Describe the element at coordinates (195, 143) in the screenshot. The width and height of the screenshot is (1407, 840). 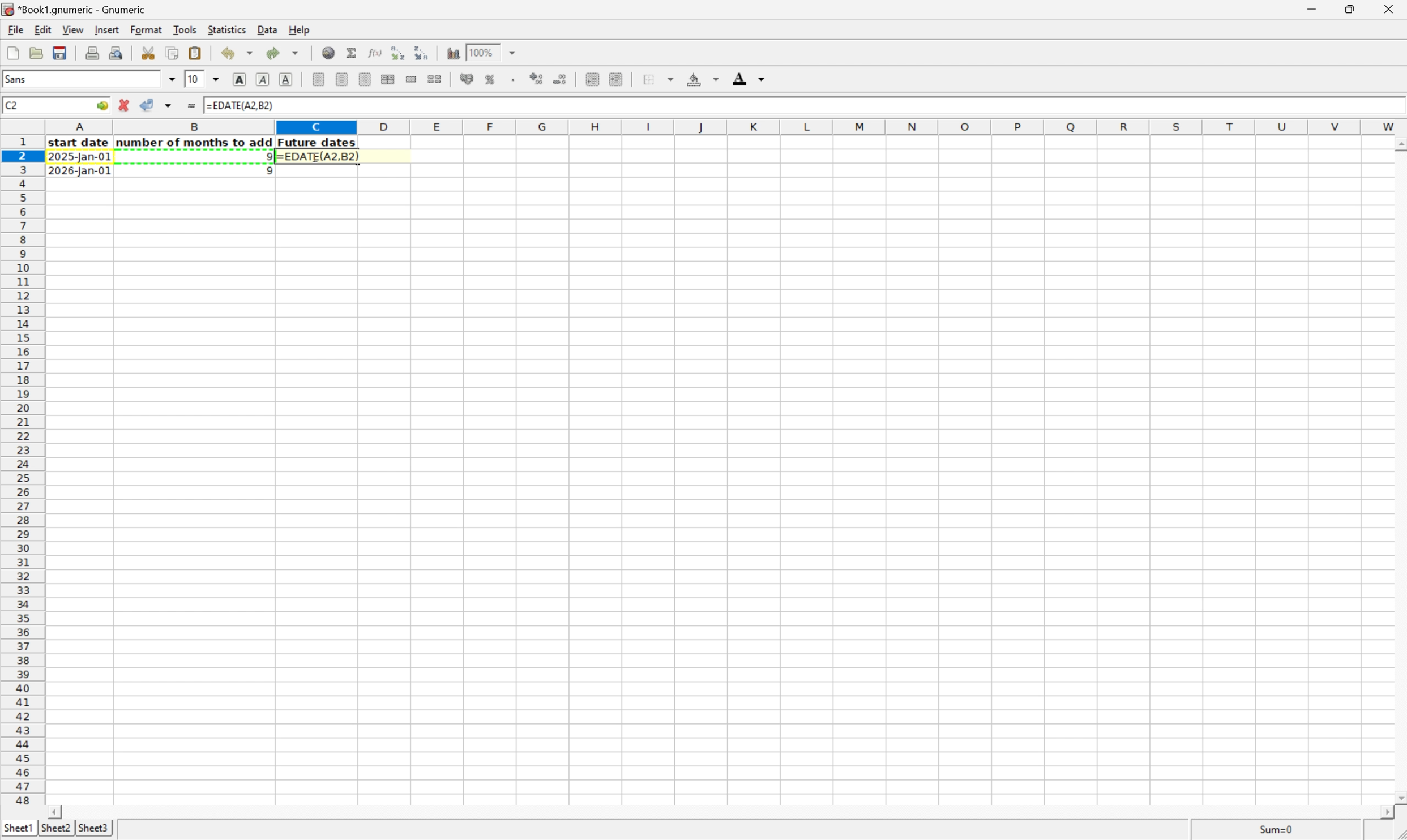
I see `number of months to add` at that location.